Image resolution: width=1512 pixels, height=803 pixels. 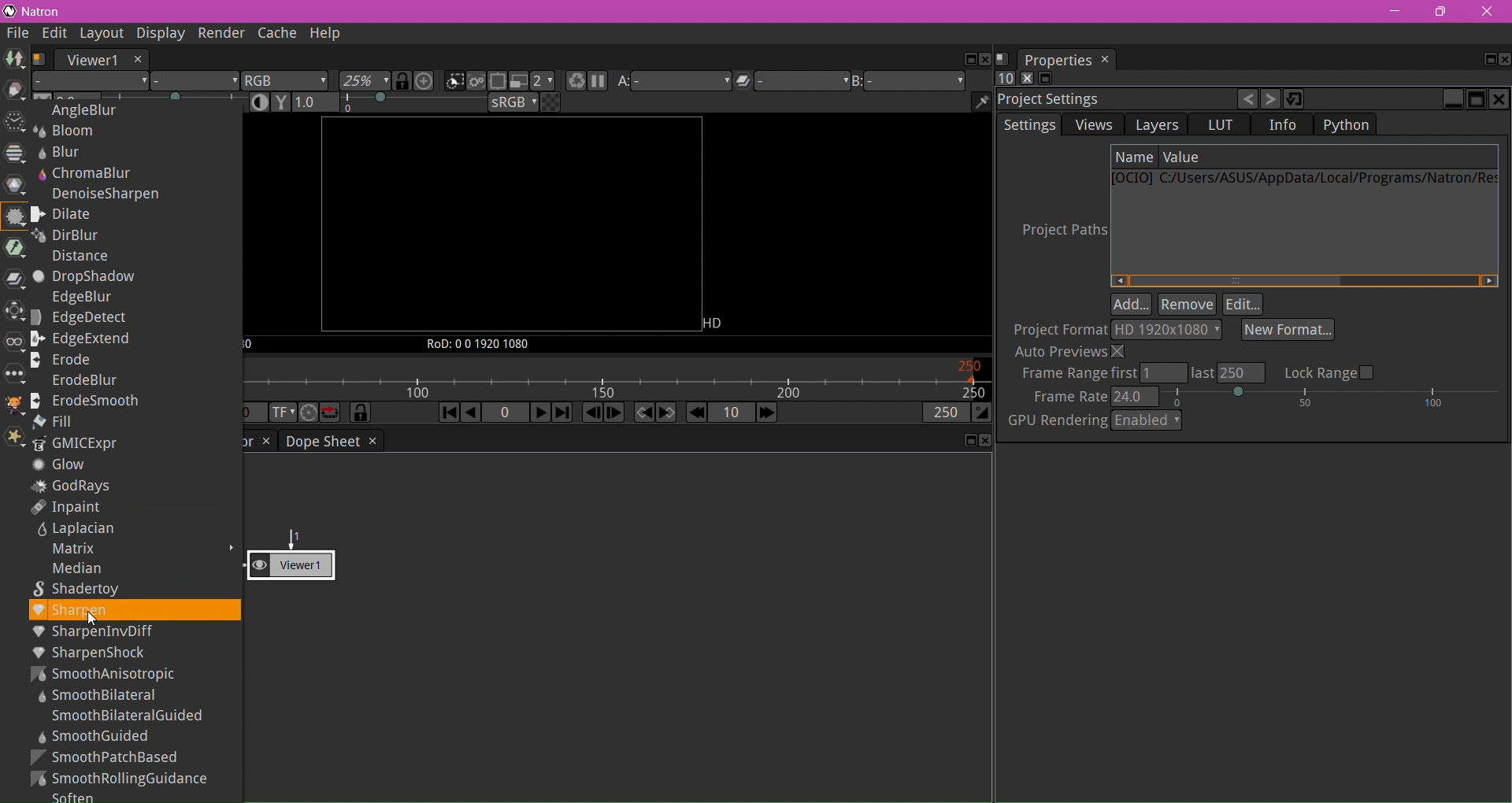 What do you see at coordinates (371, 441) in the screenshot?
I see `Close Tab` at bounding box center [371, 441].